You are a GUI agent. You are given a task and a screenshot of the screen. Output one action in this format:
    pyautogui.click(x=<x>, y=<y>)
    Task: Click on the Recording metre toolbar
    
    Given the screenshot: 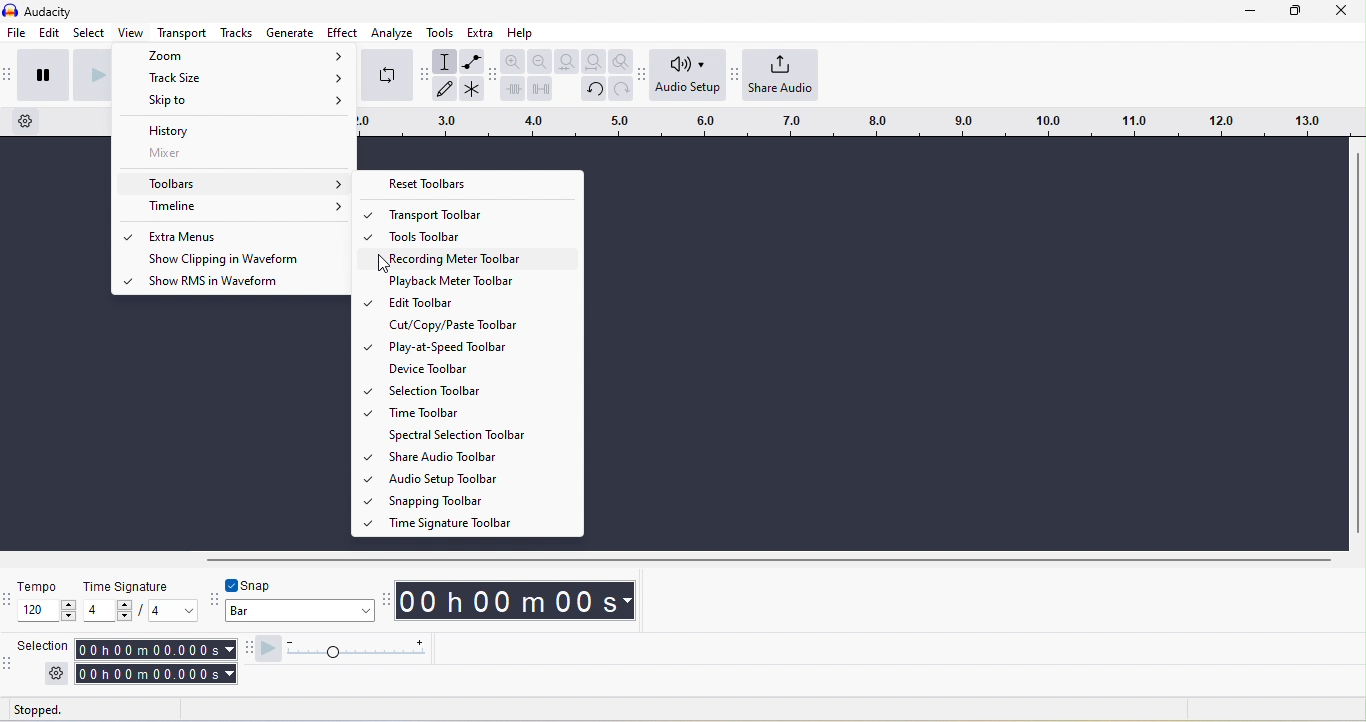 What is the action you would take?
    pyautogui.click(x=479, y=256)
    